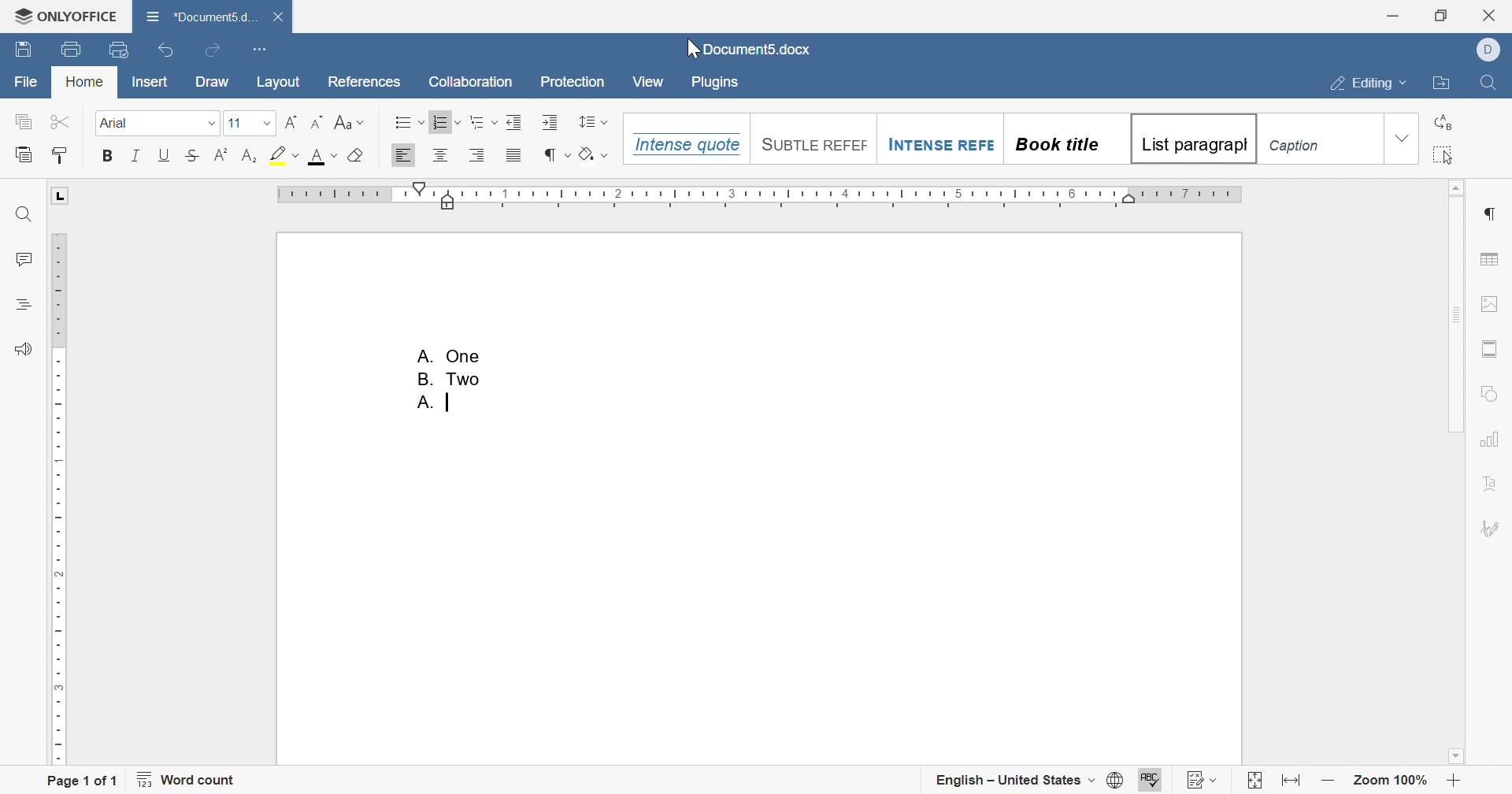 The height and width of the screenshot is (794, 1512). What do you see at coordinates (1368, 84) in the screenshot?
I see `editing` at bounding box center [1368, 84].